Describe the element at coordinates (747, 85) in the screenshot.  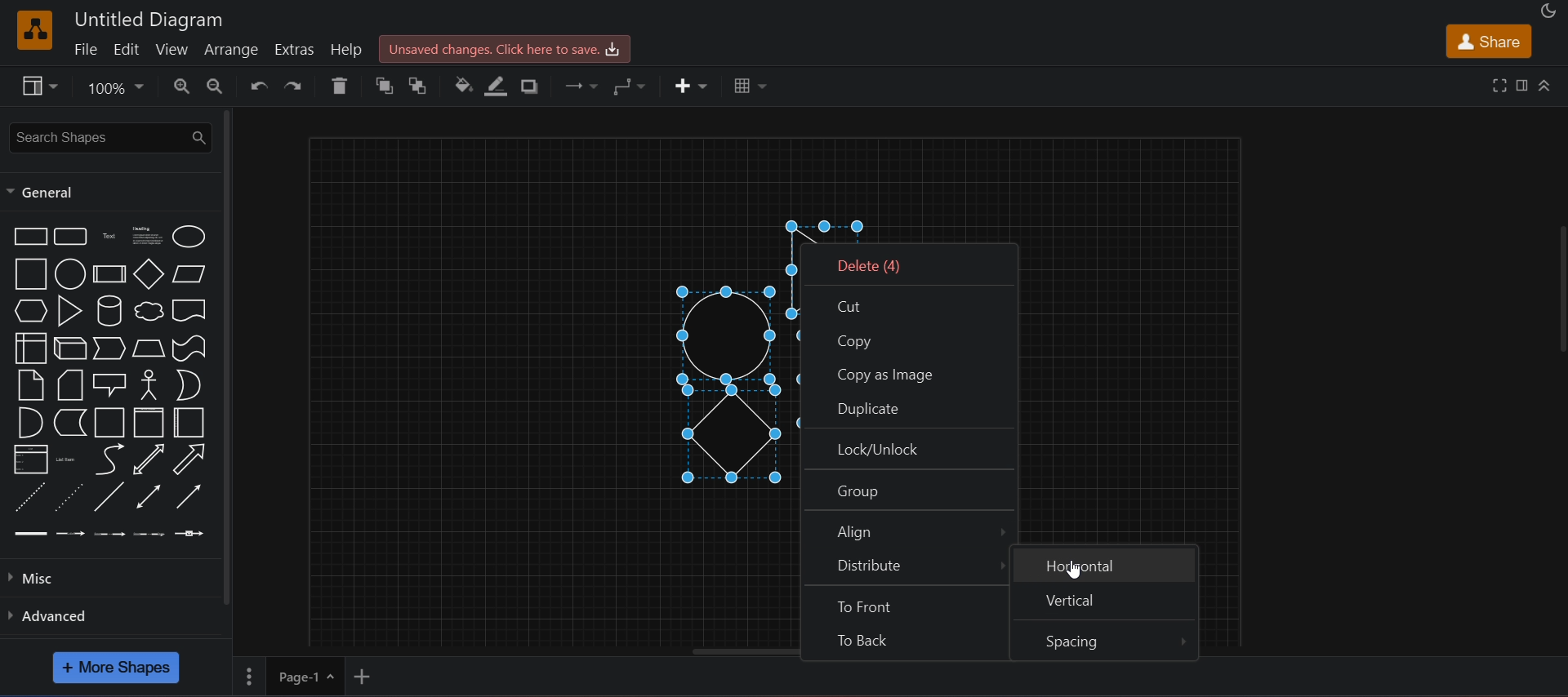
I see `table` at that location.